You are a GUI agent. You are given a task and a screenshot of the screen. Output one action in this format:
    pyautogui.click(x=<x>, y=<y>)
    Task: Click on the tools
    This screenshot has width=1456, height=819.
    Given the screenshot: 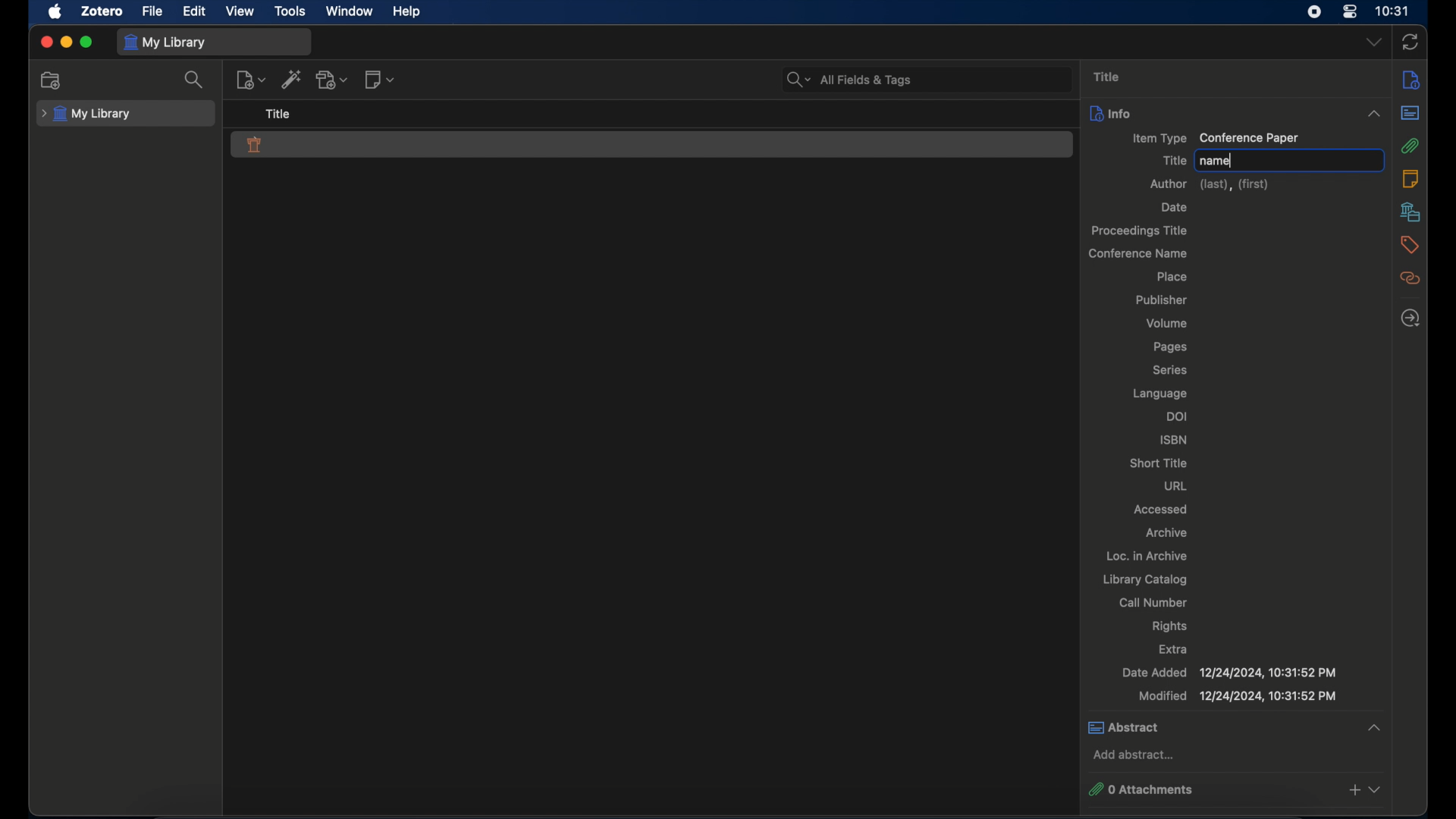 What is the action you would take?
    pyautogui.click(x=290, y=11)
    